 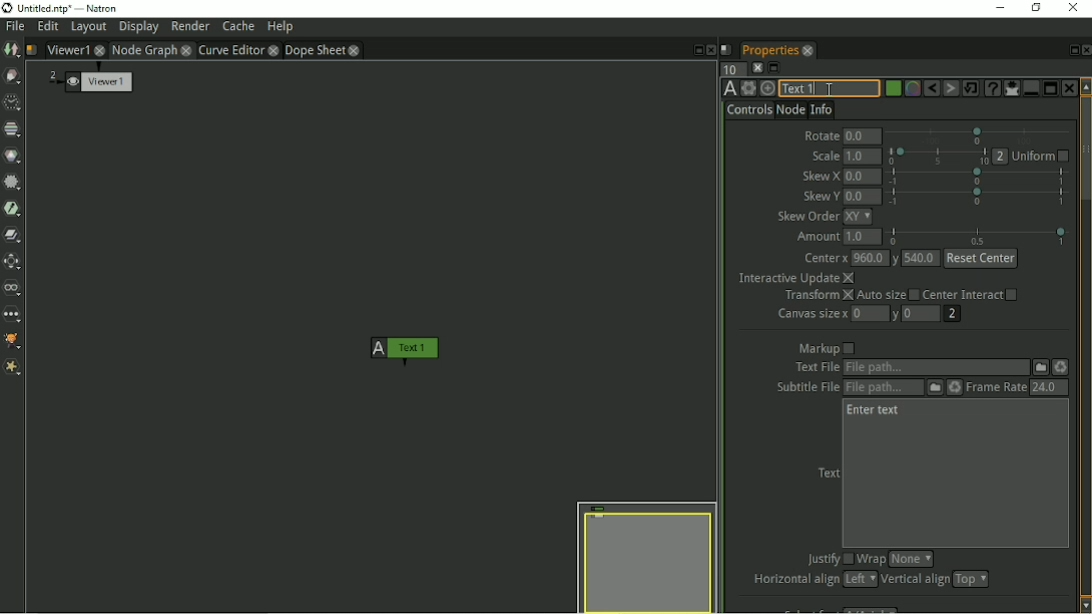 What do you see at coordinates (888, 296) in the screenshot?
I see `Auto size` at bounding box center [888, 296].